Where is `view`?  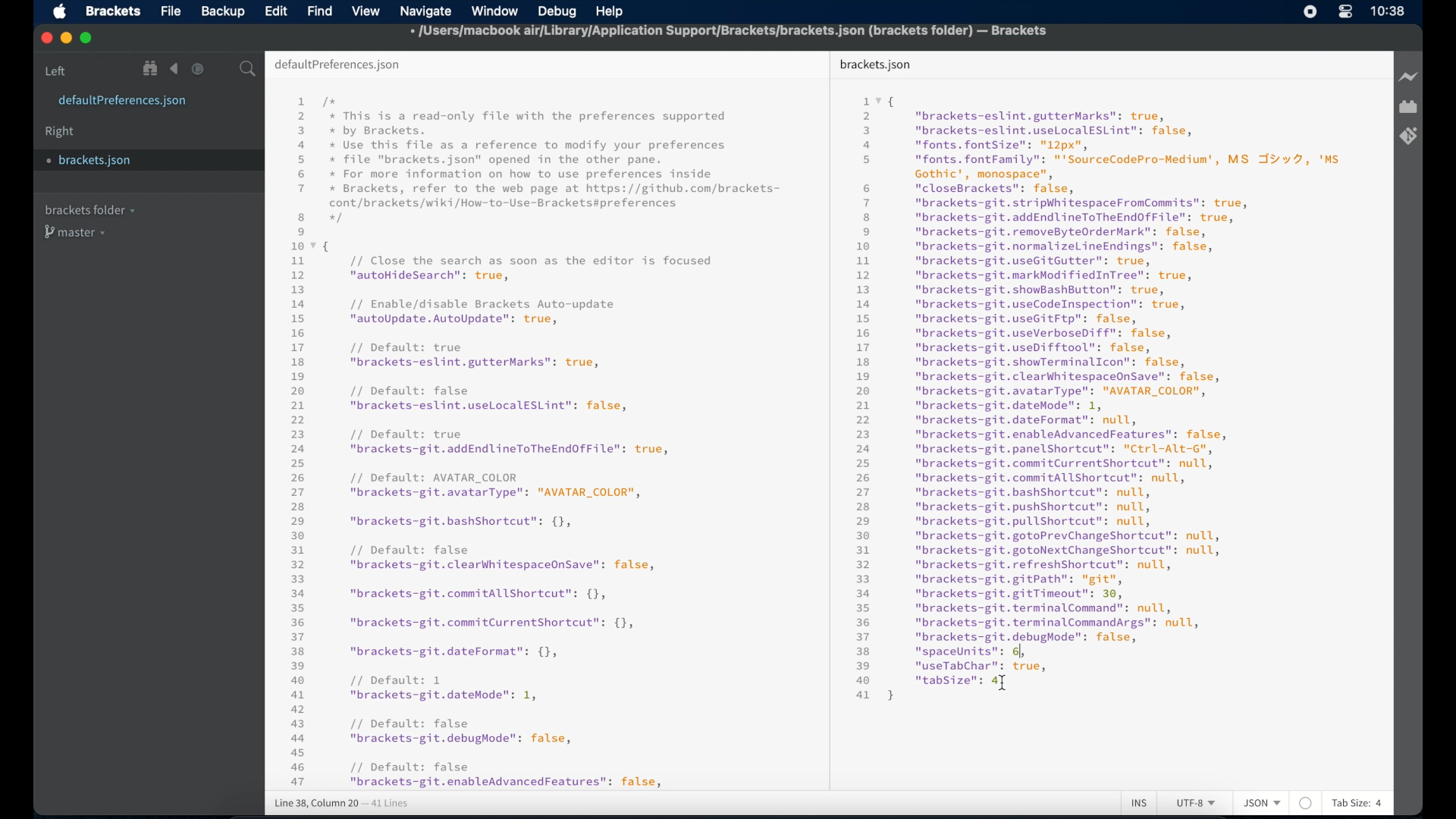 view is located at coordinates (366, 11).